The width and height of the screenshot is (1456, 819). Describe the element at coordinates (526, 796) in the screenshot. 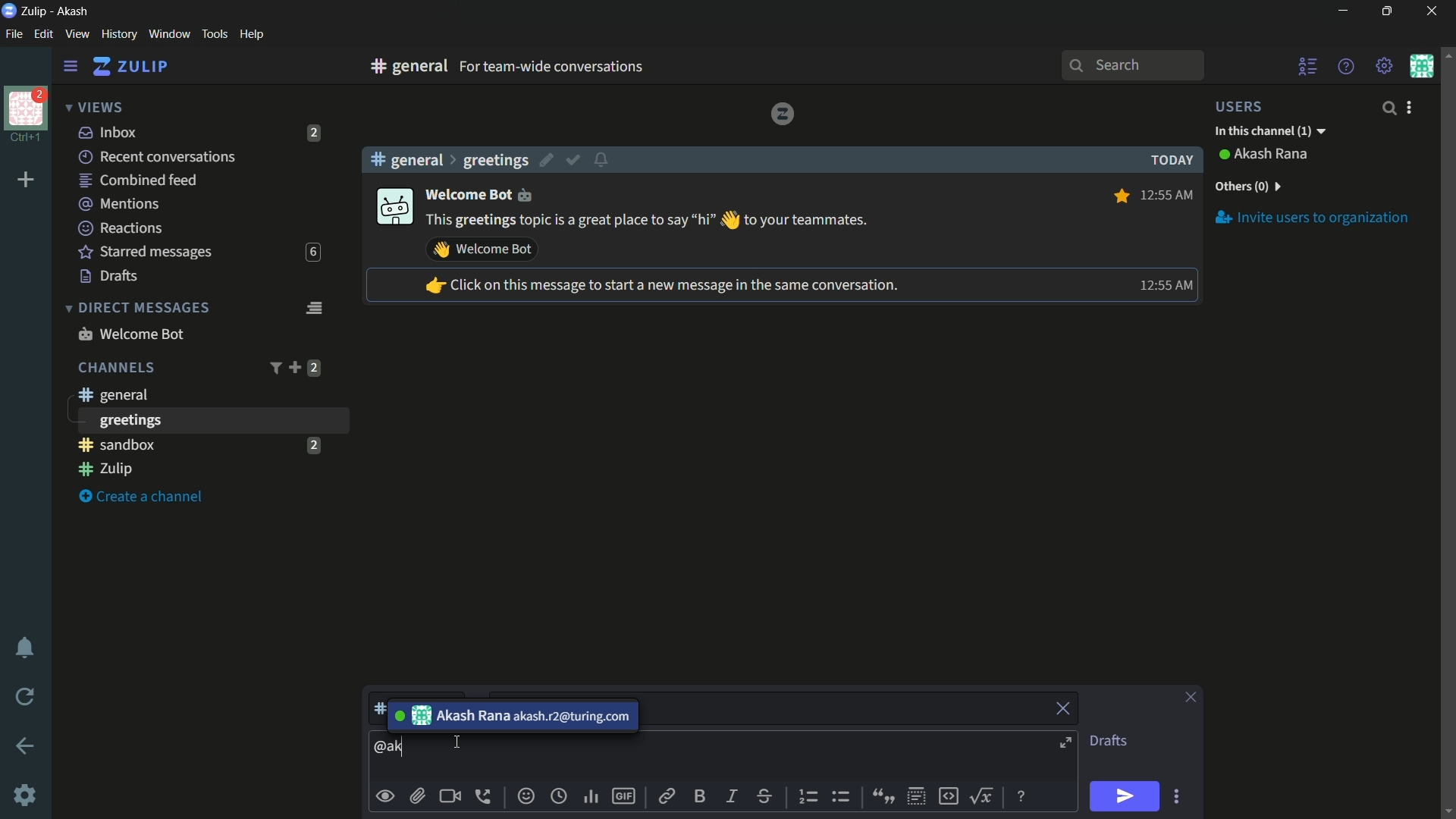

I see `add emoji` at that location.